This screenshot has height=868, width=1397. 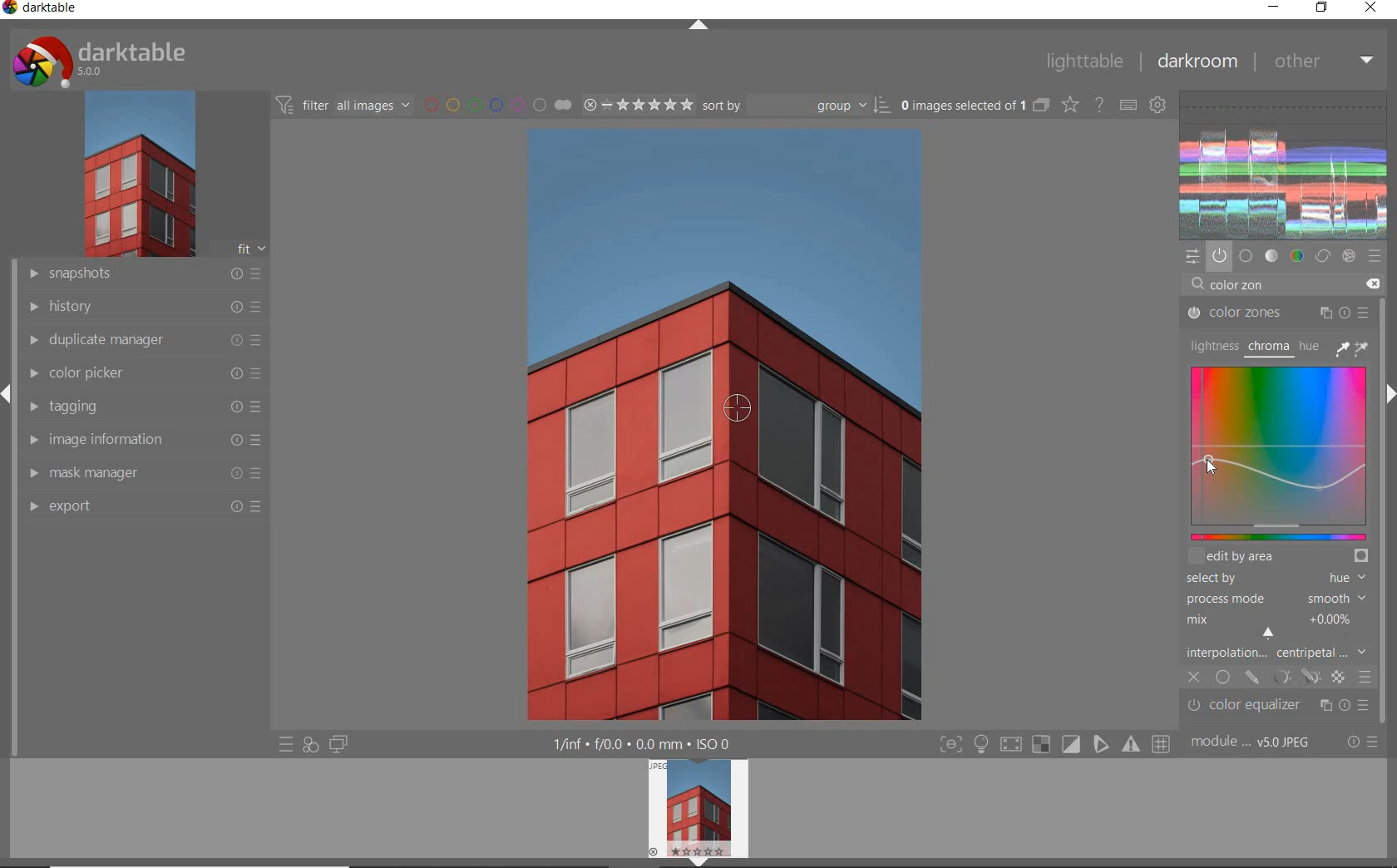 I want to click on tone, so click(x=1272, y=255).